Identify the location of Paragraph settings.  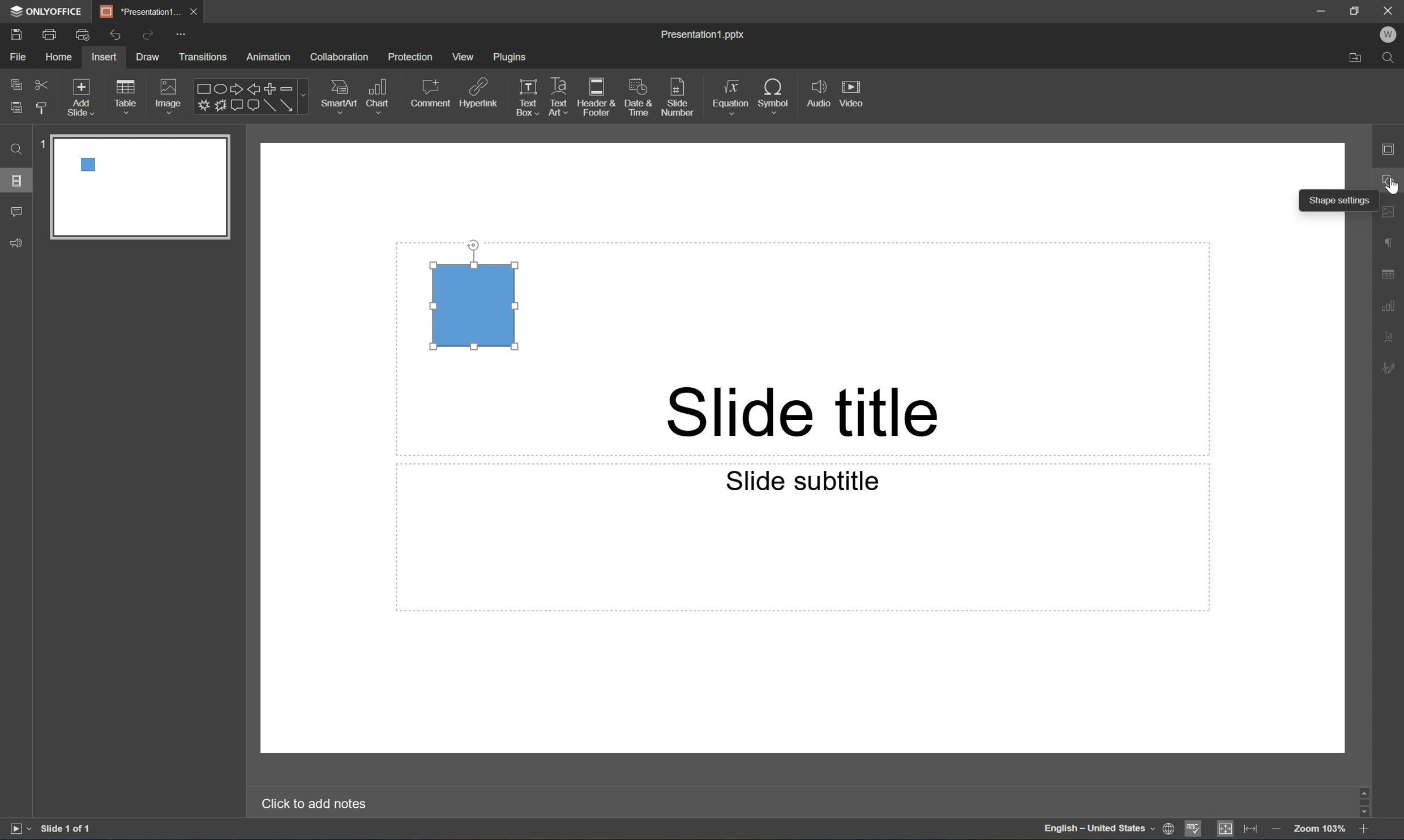
(1391, 243).